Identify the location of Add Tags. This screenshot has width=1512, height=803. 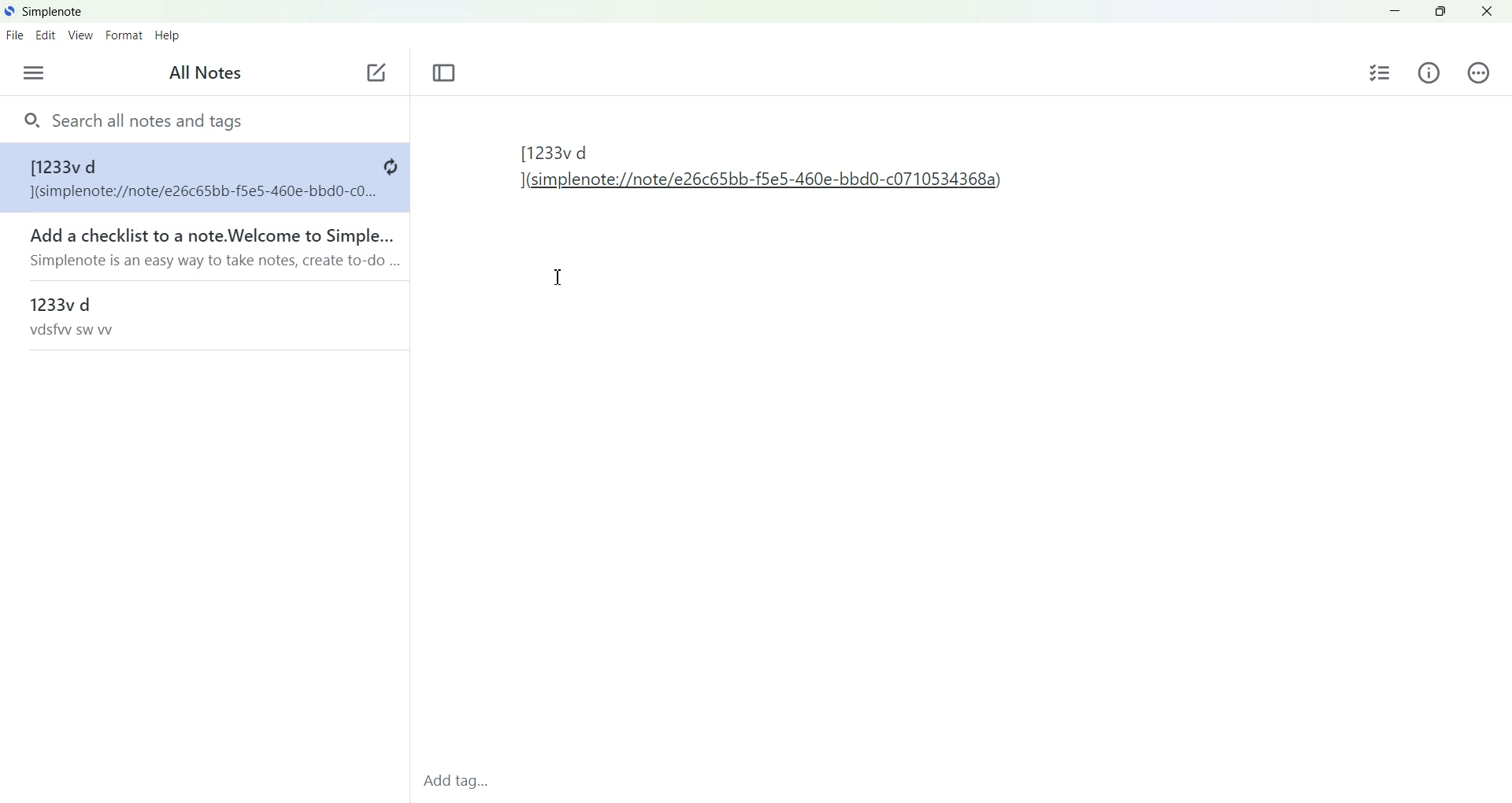
(461, 782).